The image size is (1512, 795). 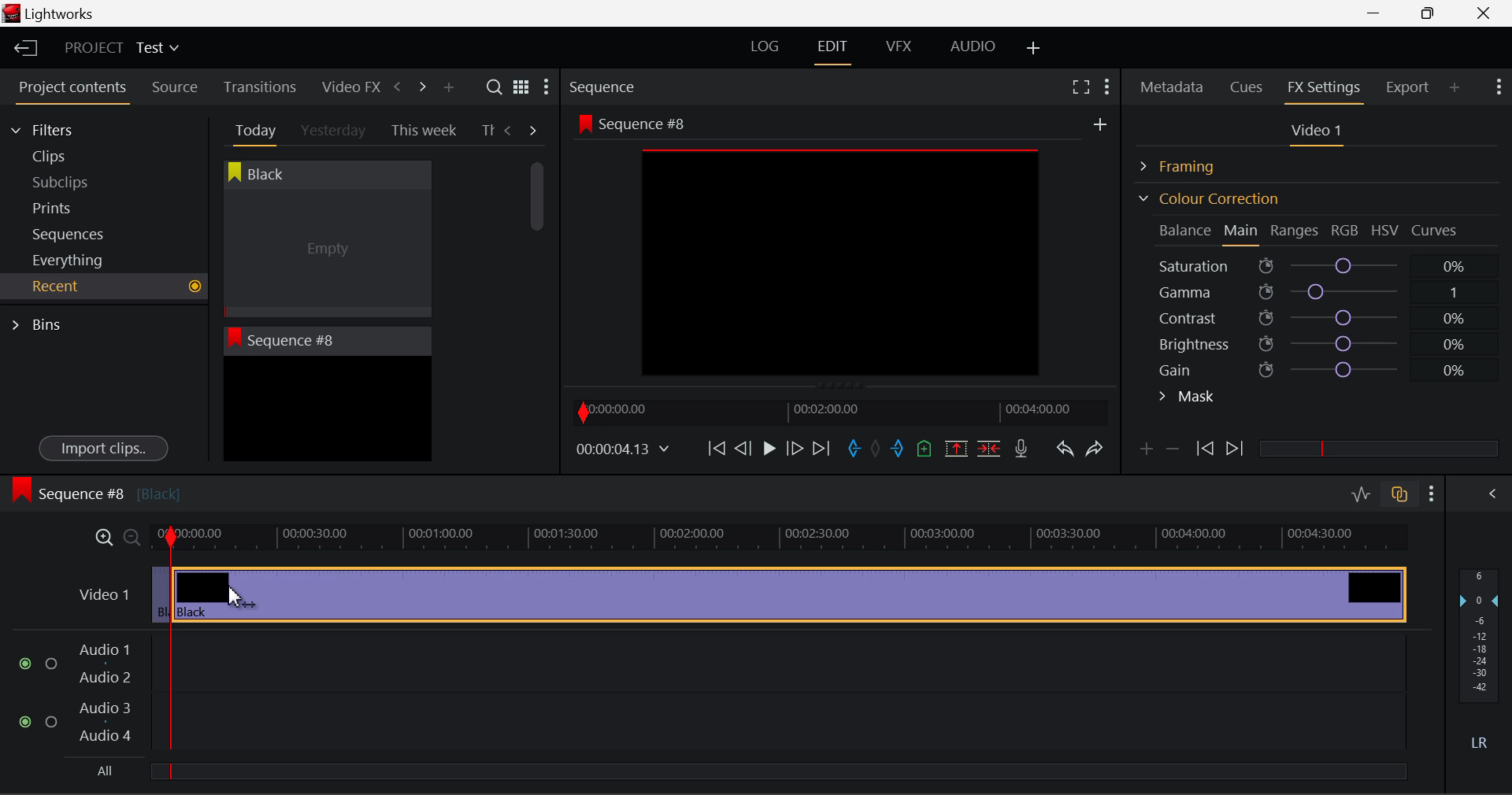 I want to click on Previous keyframe, so click(x=1203, y=449).